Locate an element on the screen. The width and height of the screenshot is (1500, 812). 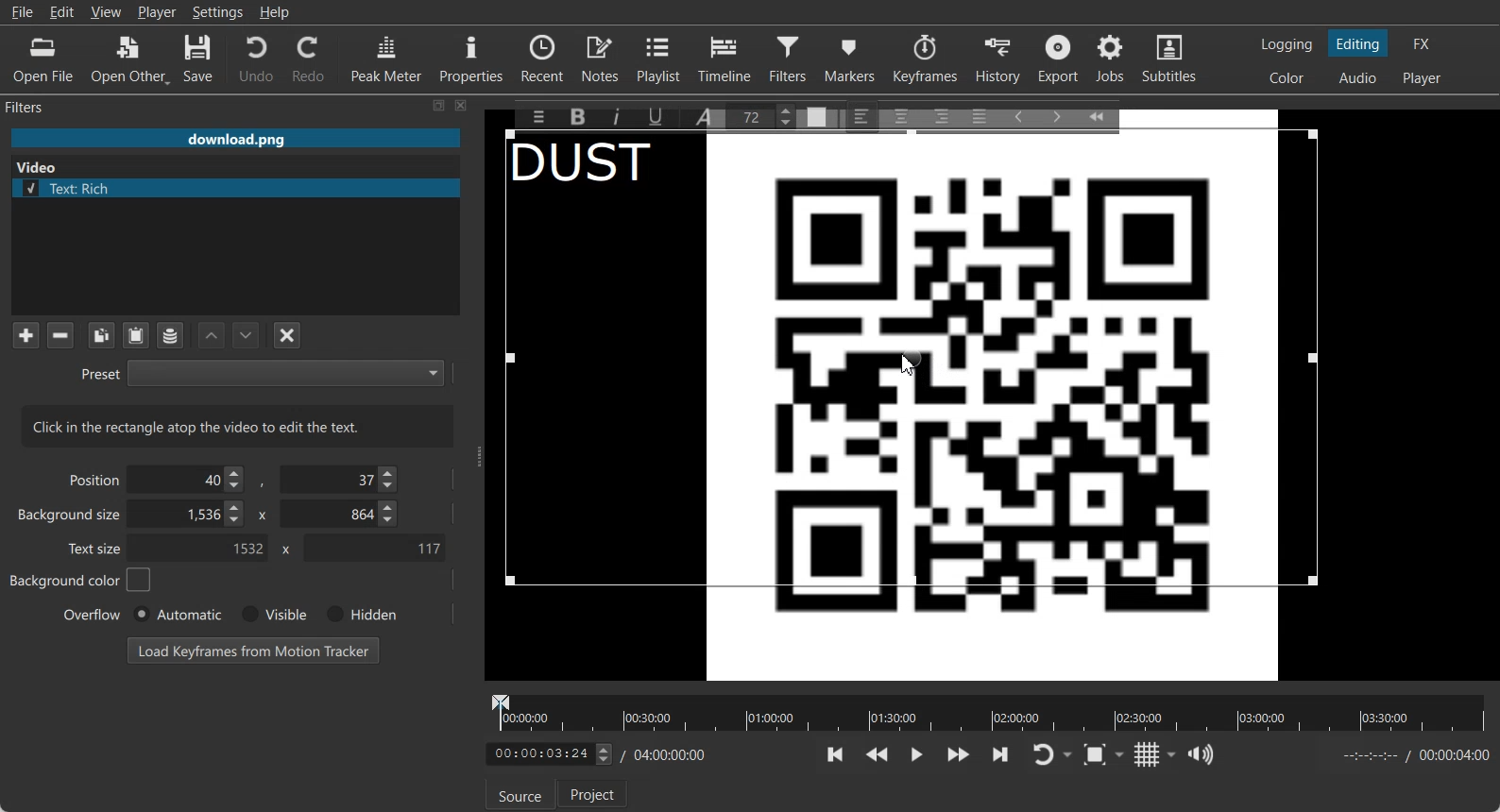
Move Filter Down is located at coordinates (247, 335).